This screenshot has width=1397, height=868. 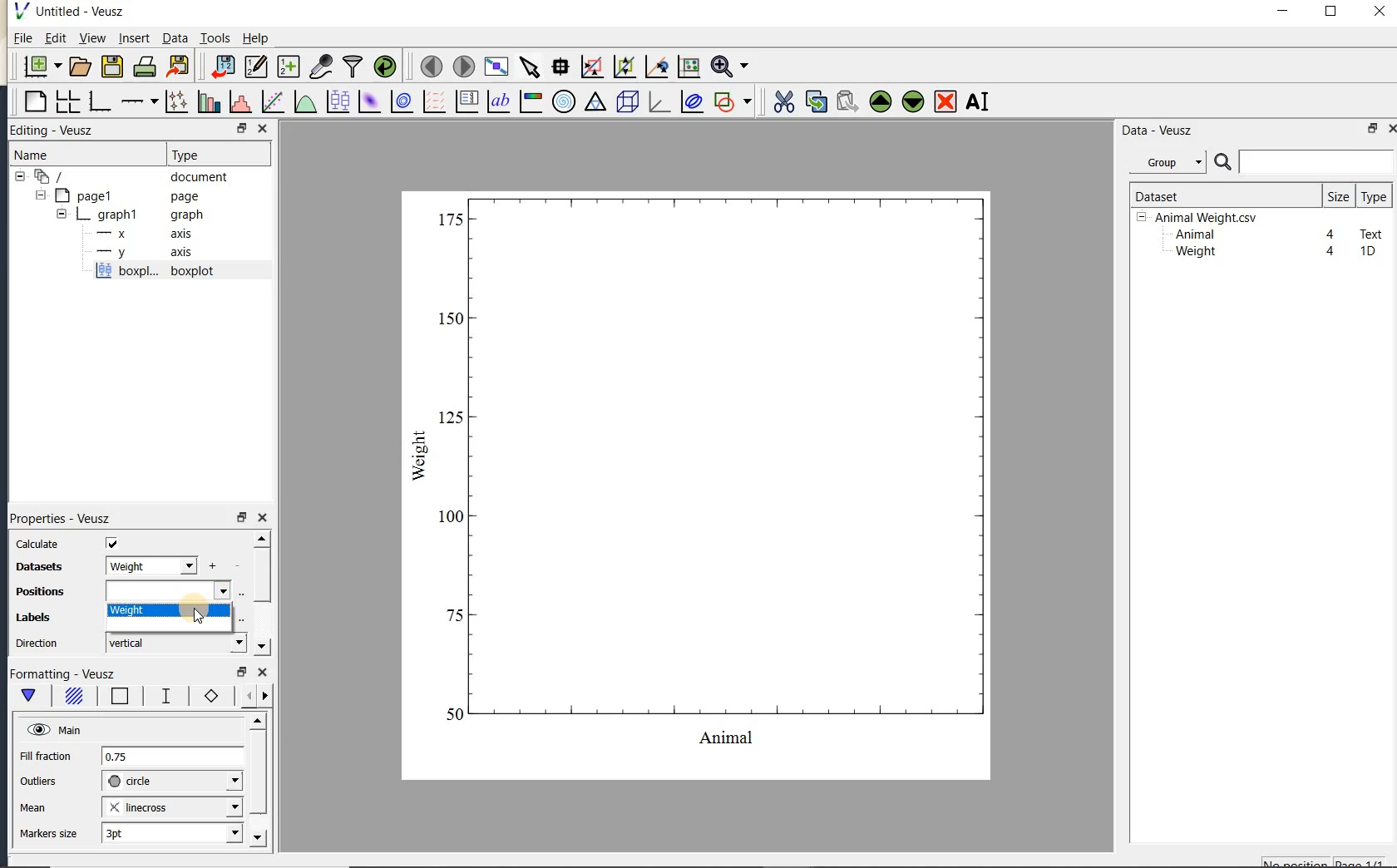 I want to click on markers size, so click(x=51, y=834).